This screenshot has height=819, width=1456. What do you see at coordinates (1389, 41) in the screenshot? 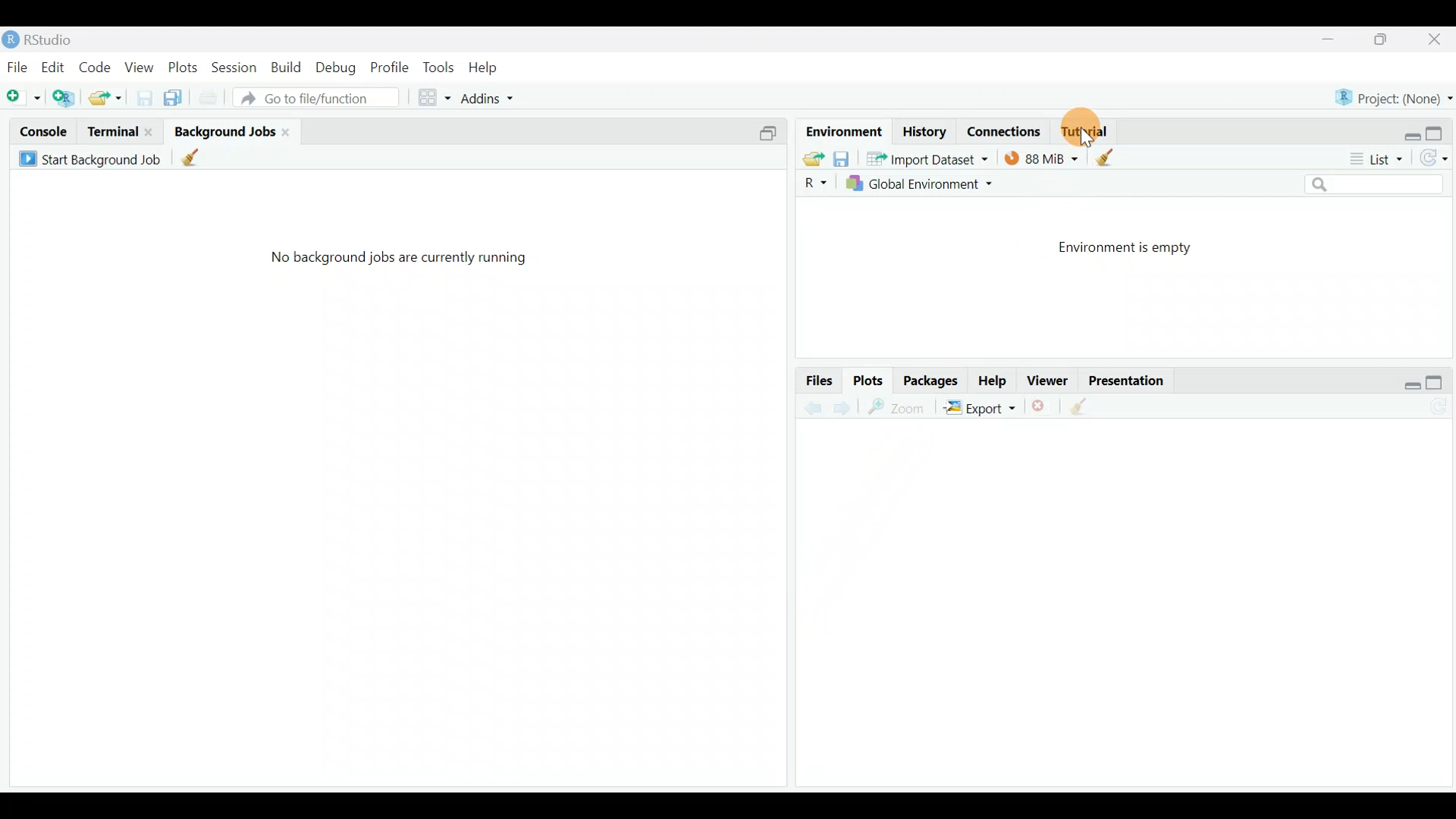
I see `Maximize` at bounding box center [1389, 41].